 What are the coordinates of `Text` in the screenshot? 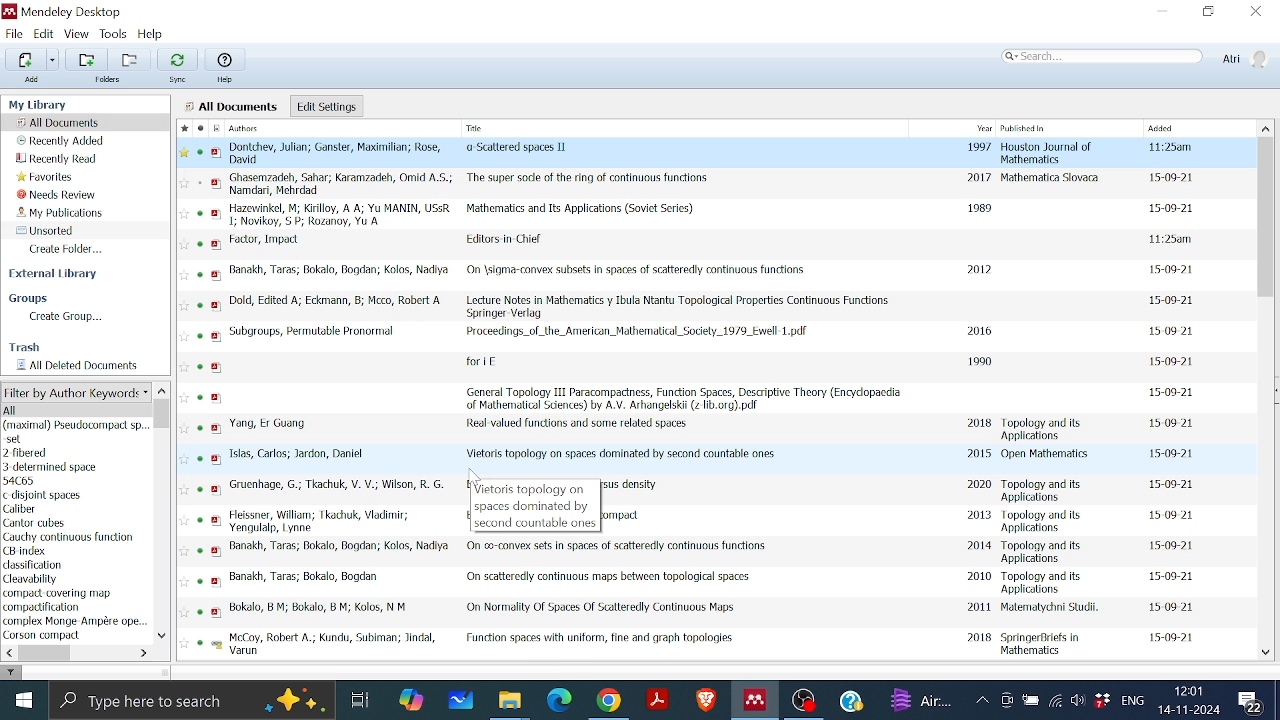 It's located at (536, 506).